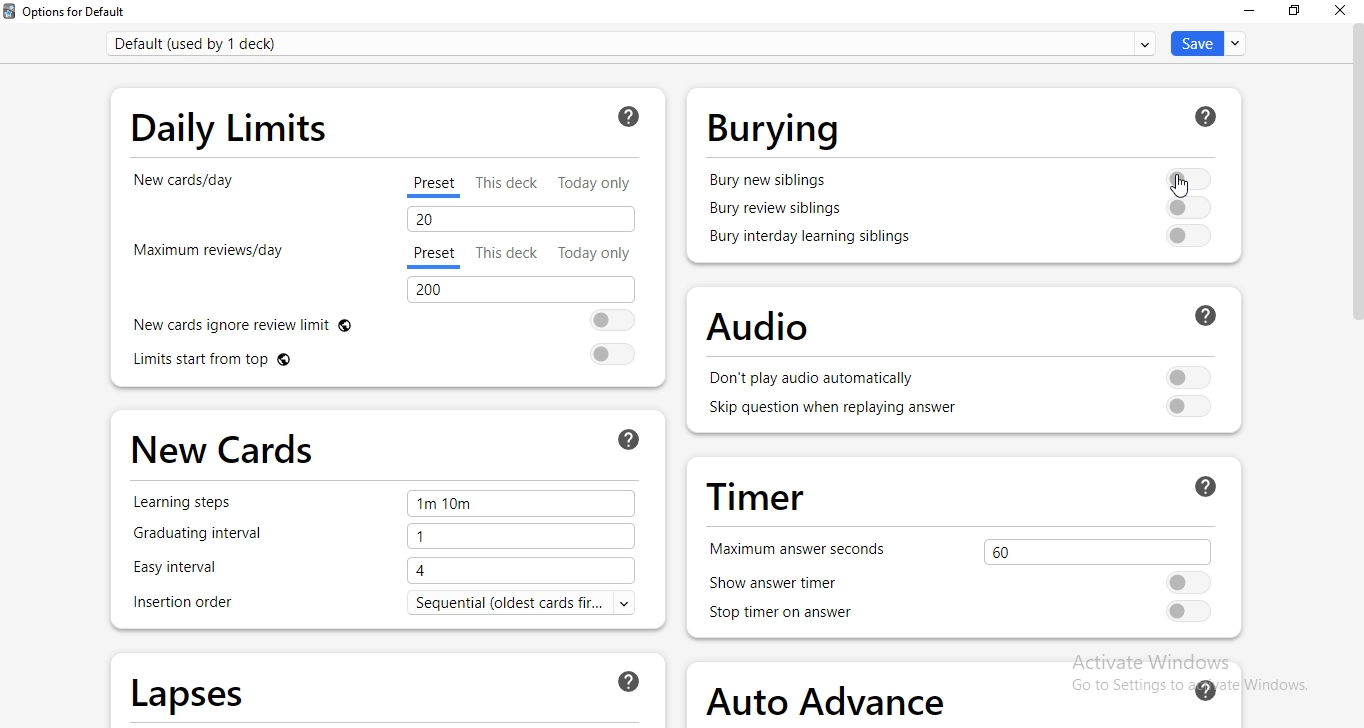  What do you see at coordinates (434, 257) in the screenshot?
I see `preset` at bounding box center [434, 257].